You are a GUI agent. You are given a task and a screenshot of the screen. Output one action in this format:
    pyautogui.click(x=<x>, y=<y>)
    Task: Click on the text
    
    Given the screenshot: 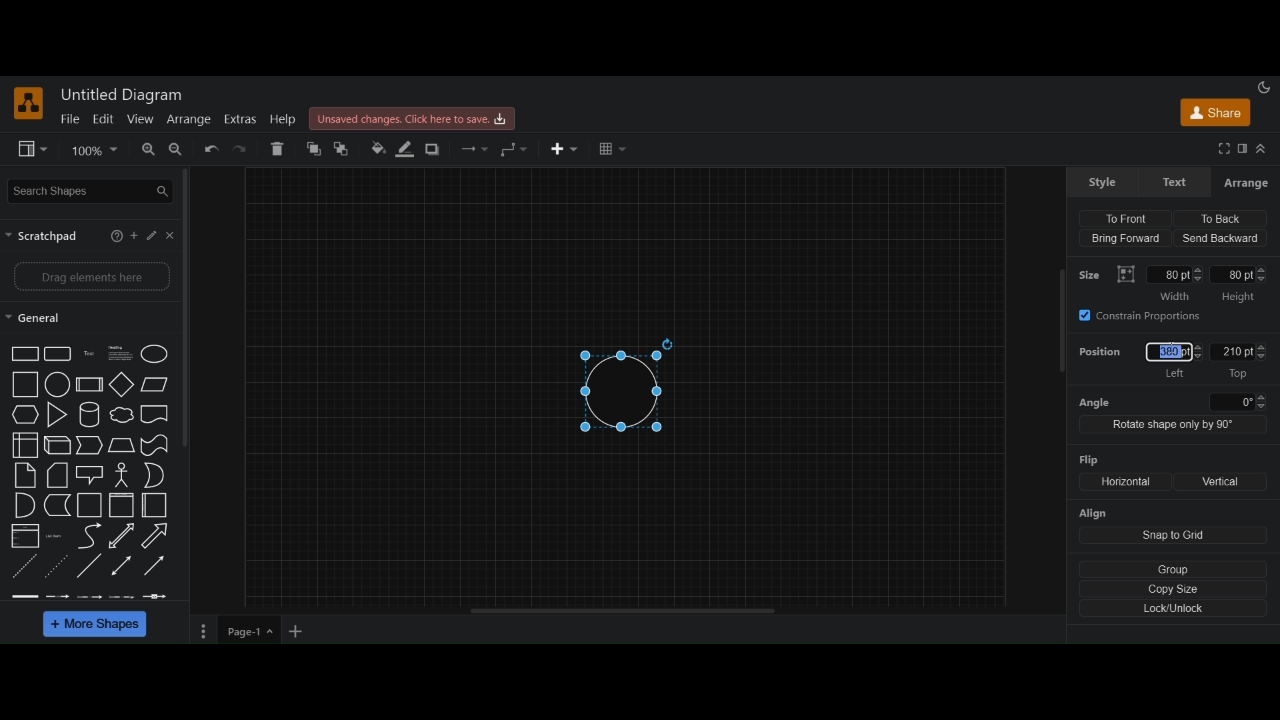 What is the action you would take?
    pyautogui.click(x=1177, y=182)
    